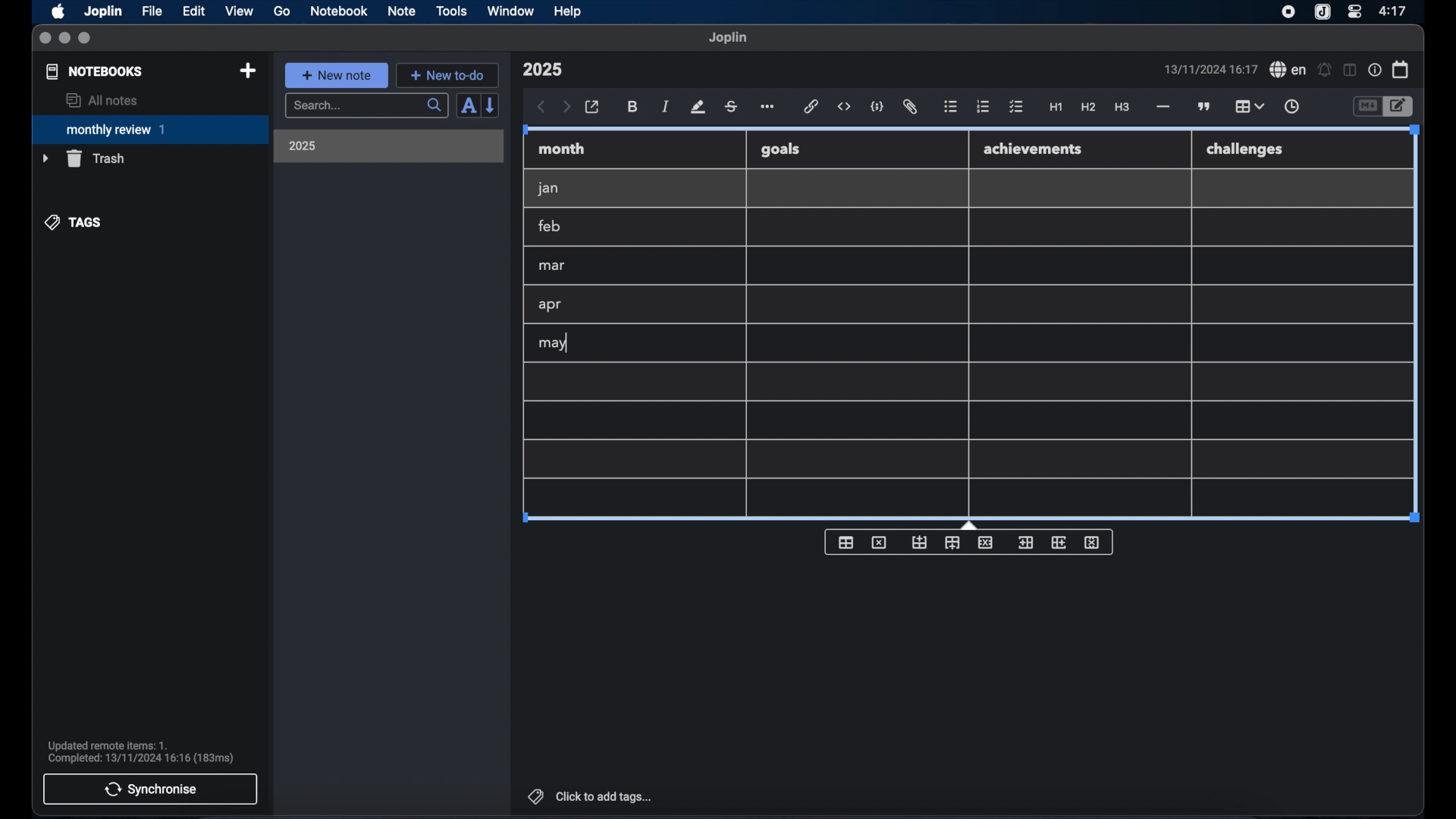  What do you see at coordinates (1093, 543) in the screenshot?
I see `delete column` at bounding box center [1093, 543].